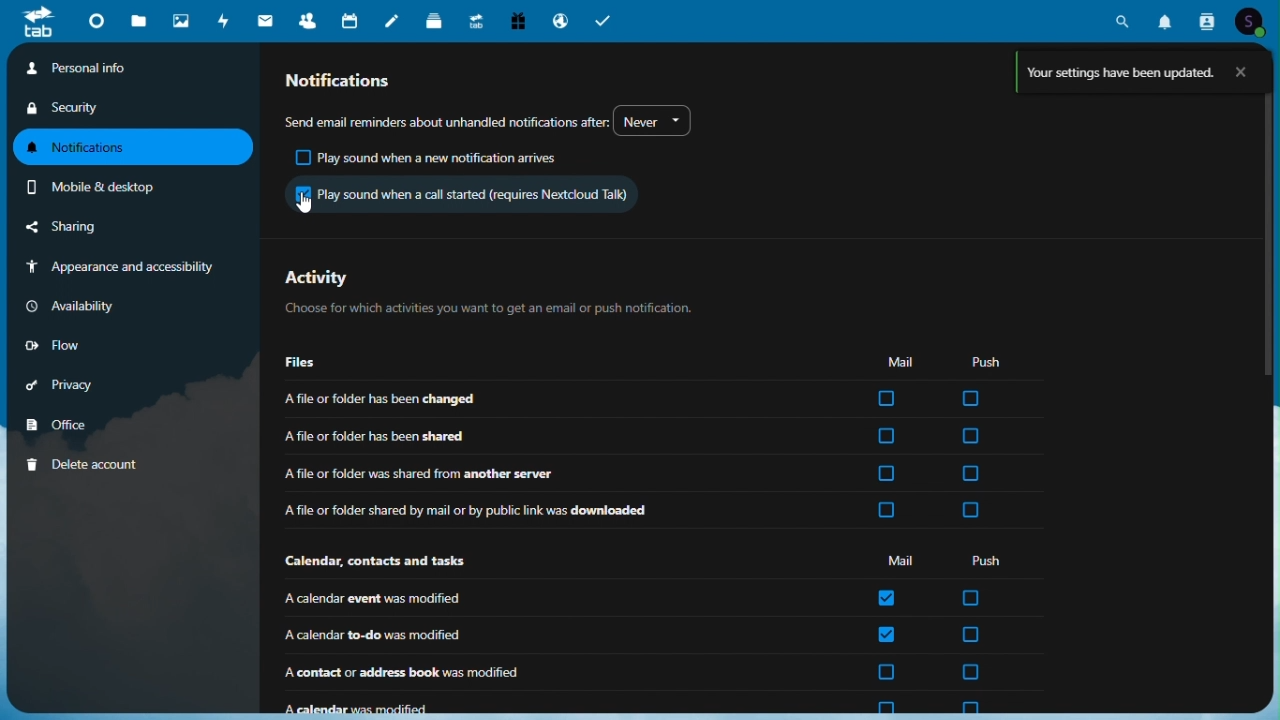 This screenshot has height=720, width=1280. I want to click on mobile and desktop, so click(116, 187).